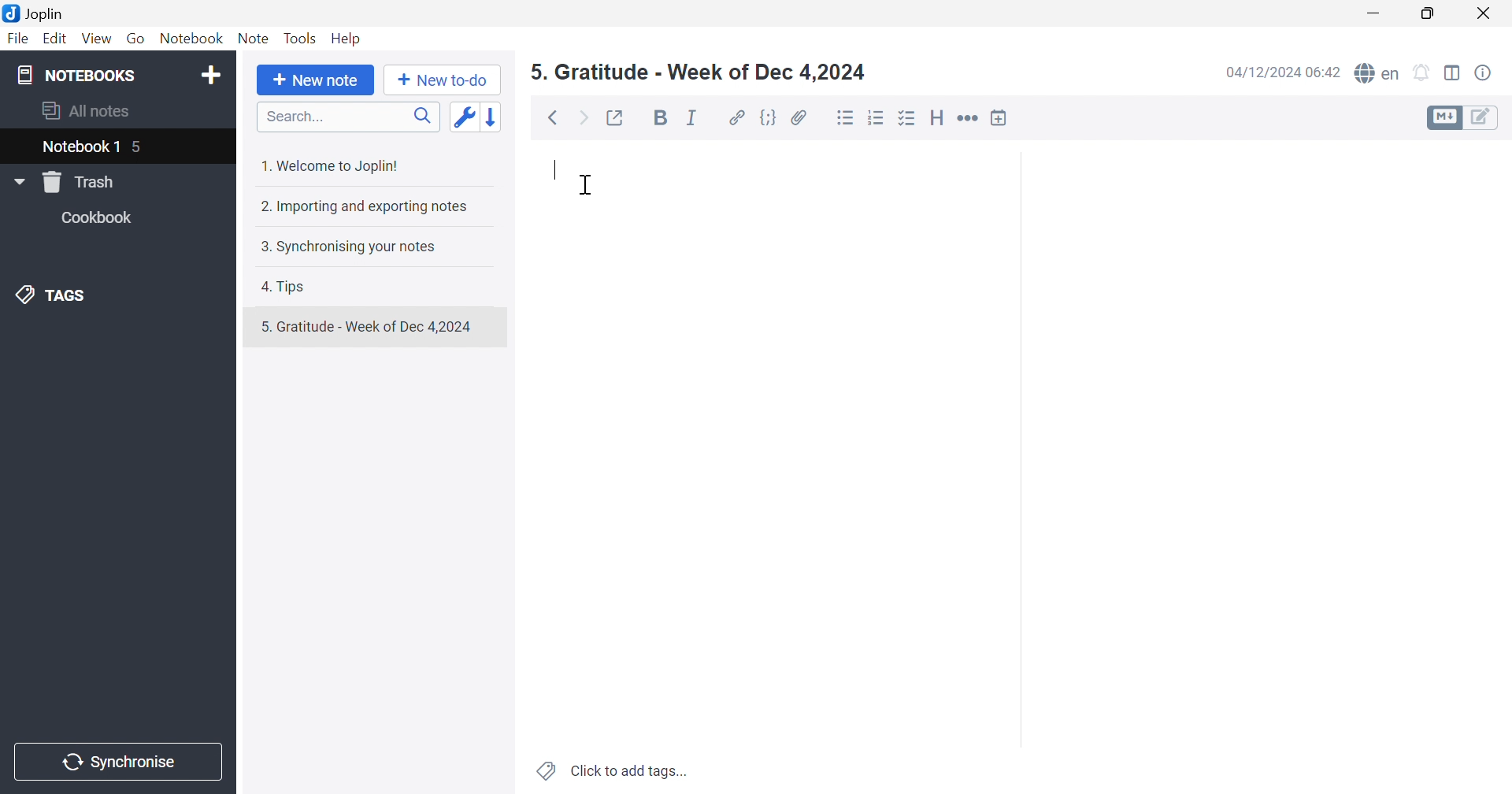  Describe the element at coordinates (300, 38) in the screenshot. I see `Tools` at that location.